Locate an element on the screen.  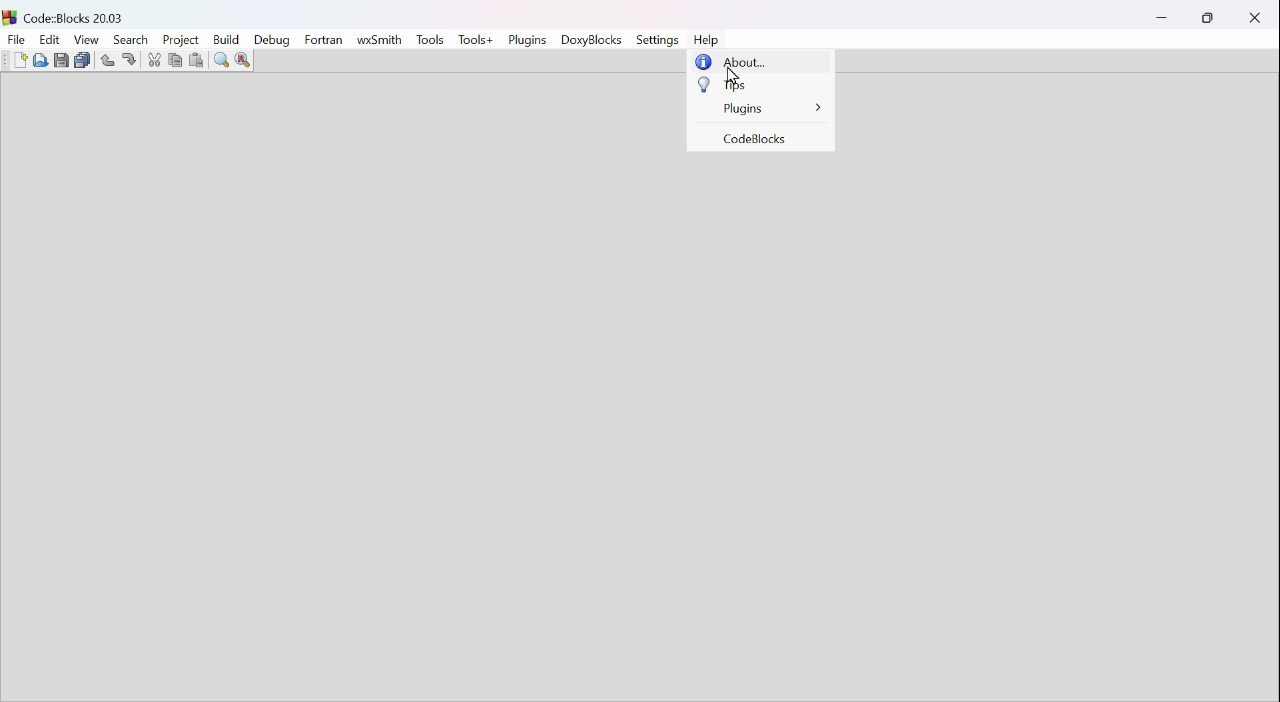
Build is located at coordinates (226, 40).